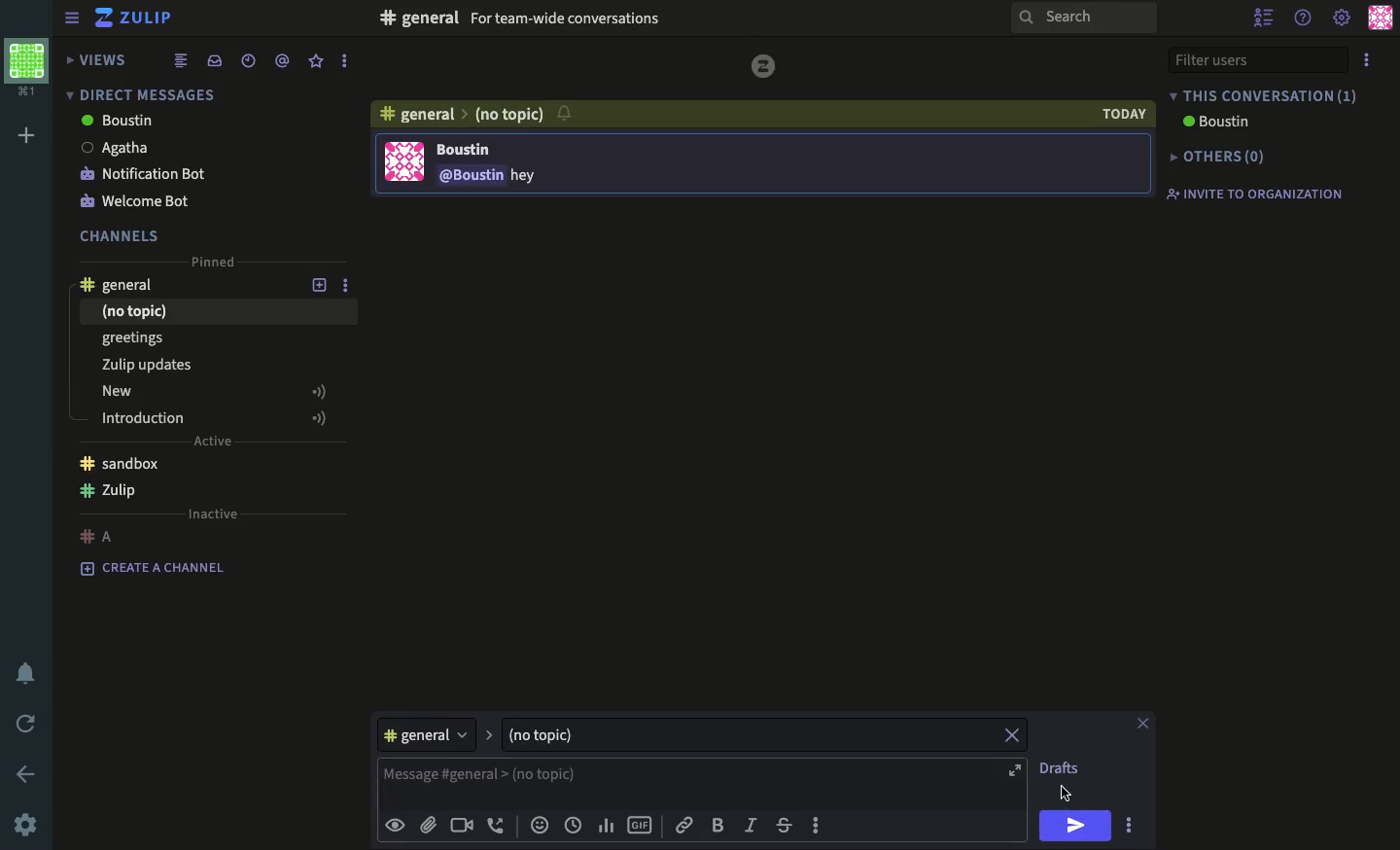 This screenshot has width=1400, height=850. I want to click on search, so click(1086, 19).